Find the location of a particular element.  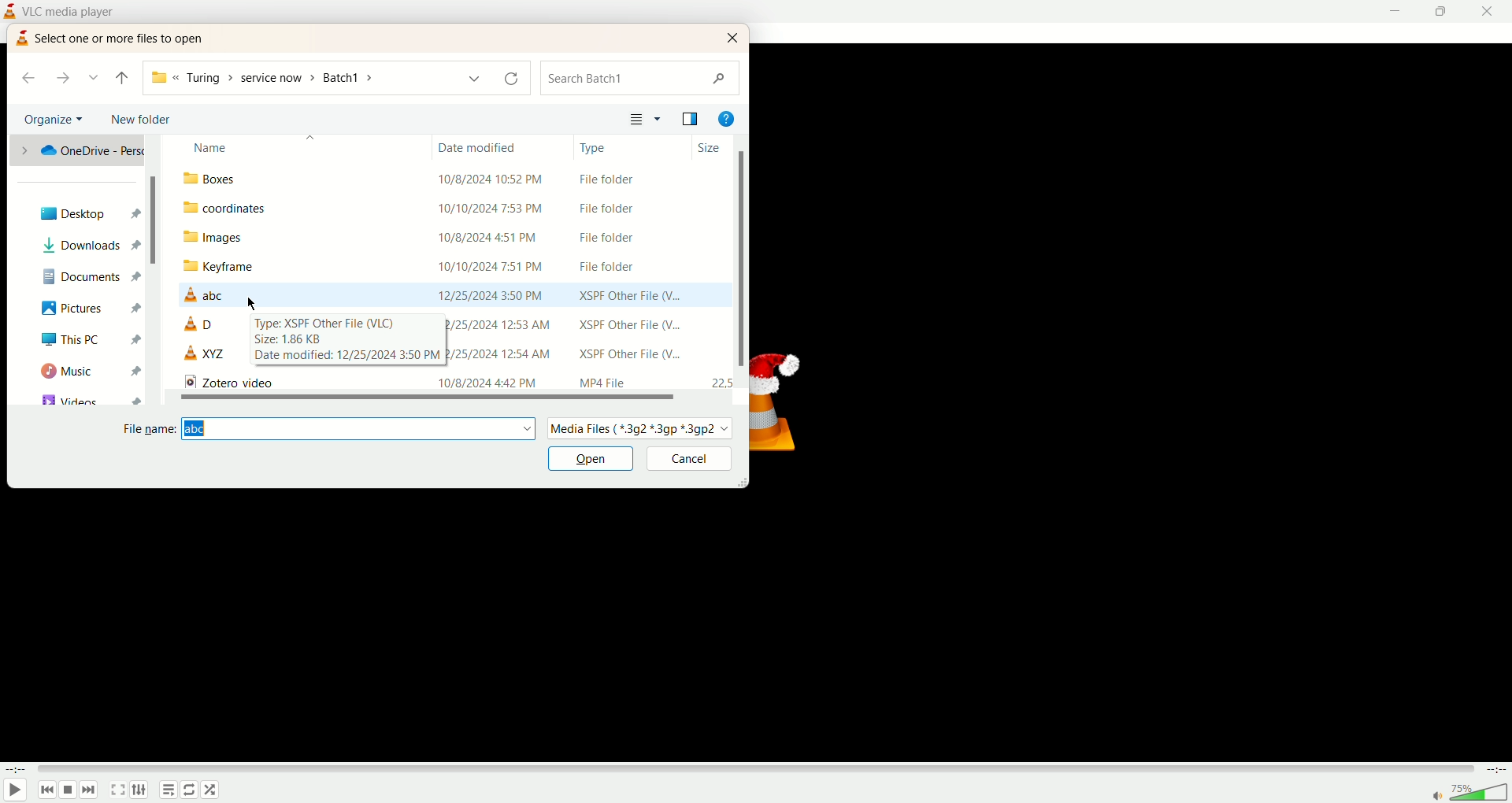

Videos is located at coordinates (89, 396).